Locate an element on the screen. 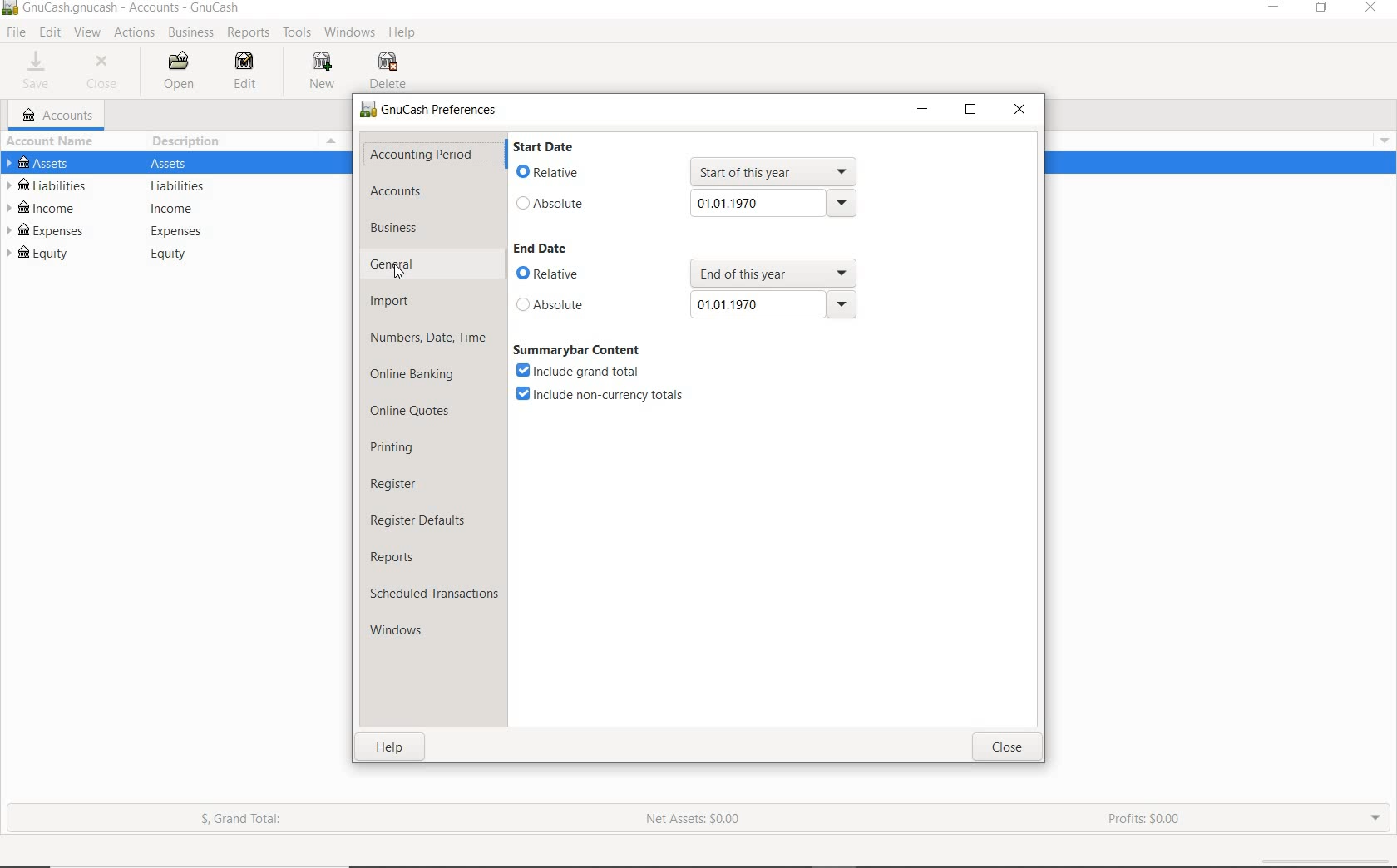 This screenshot has height=868, width=1397. OPEN is located at coordinates (185, 71).